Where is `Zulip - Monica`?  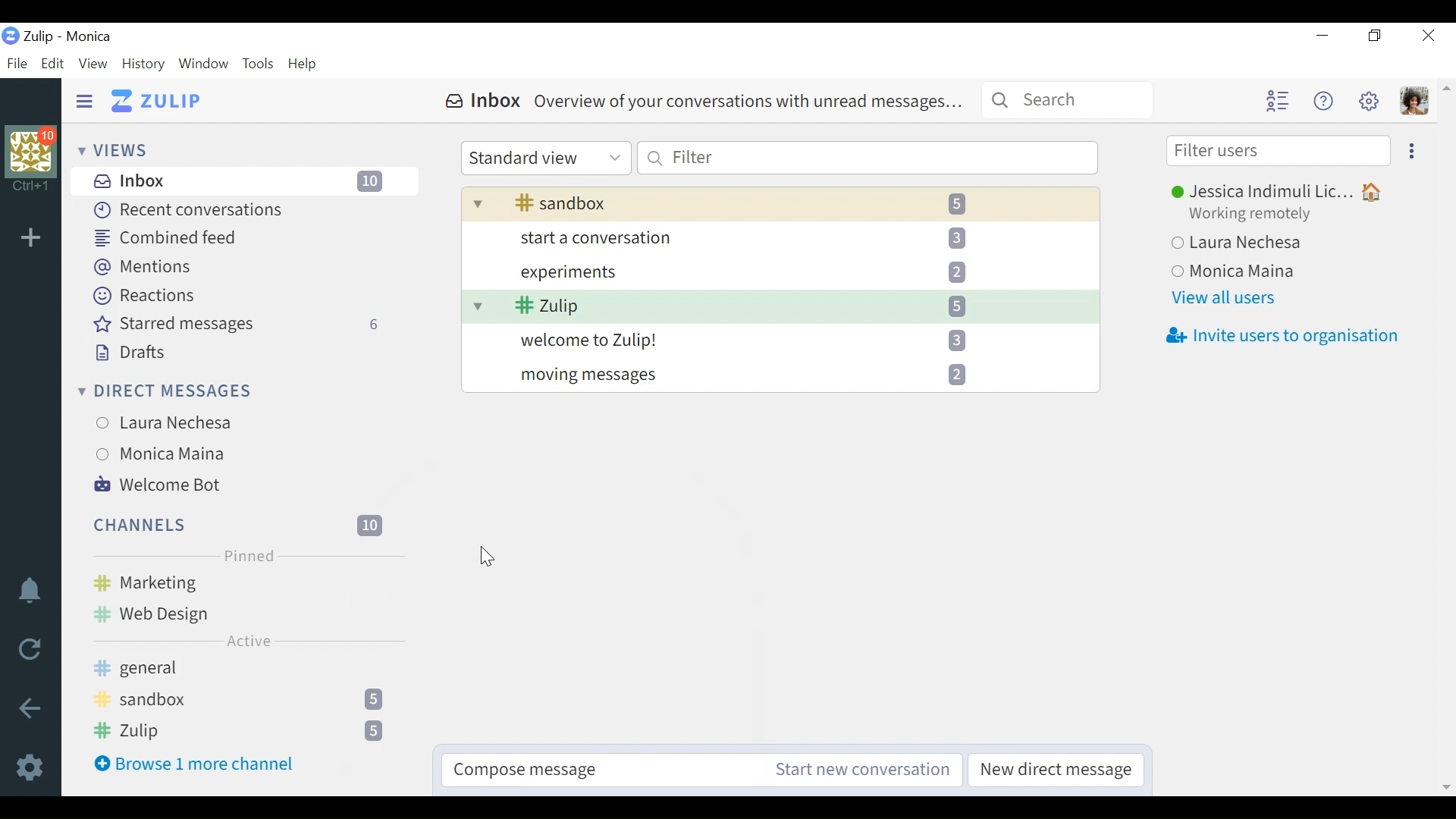 Zulip - Monica is located at coordinates (69, 36).